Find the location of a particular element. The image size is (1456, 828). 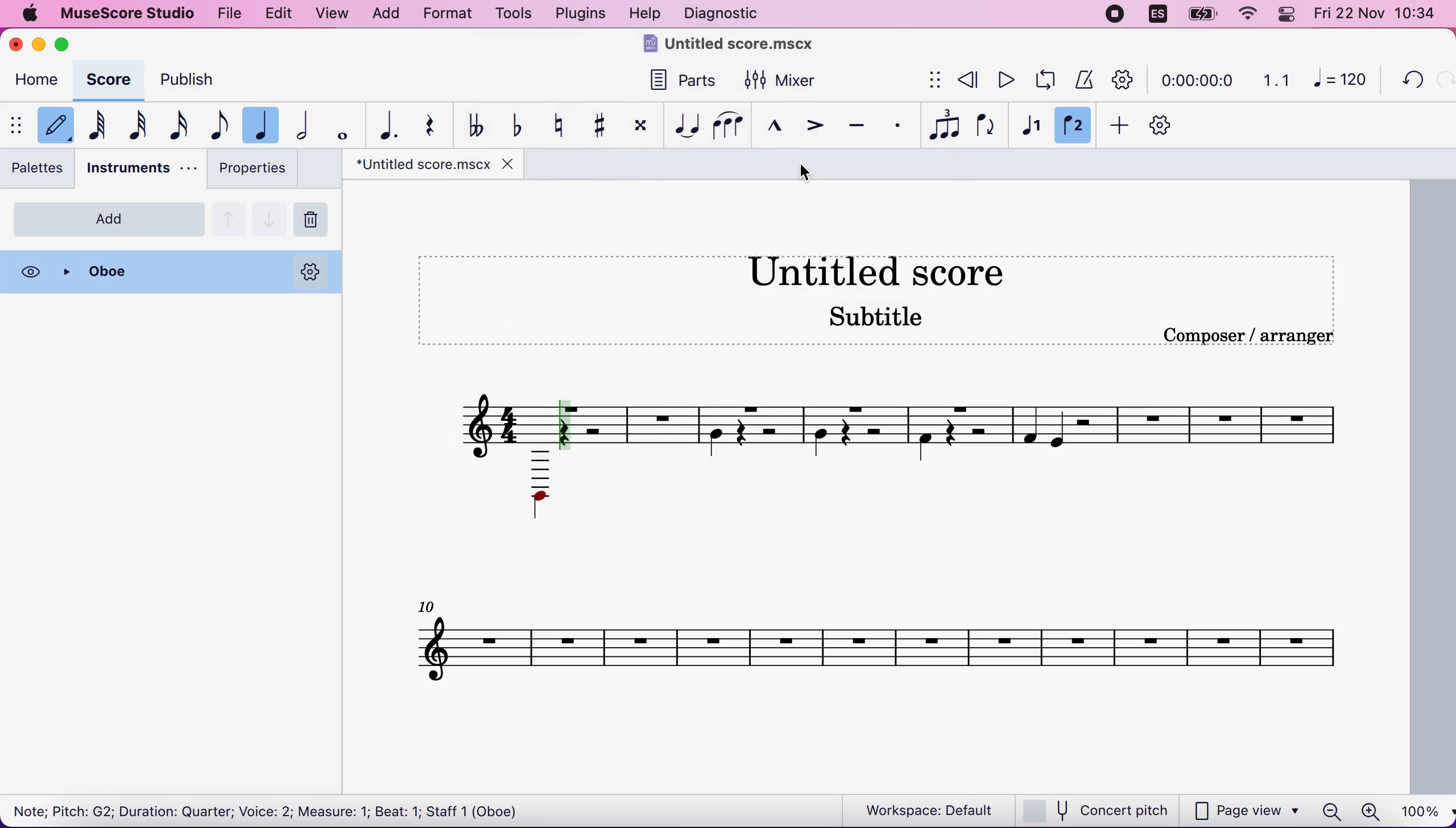

properties is located at coordinates (256, 171).